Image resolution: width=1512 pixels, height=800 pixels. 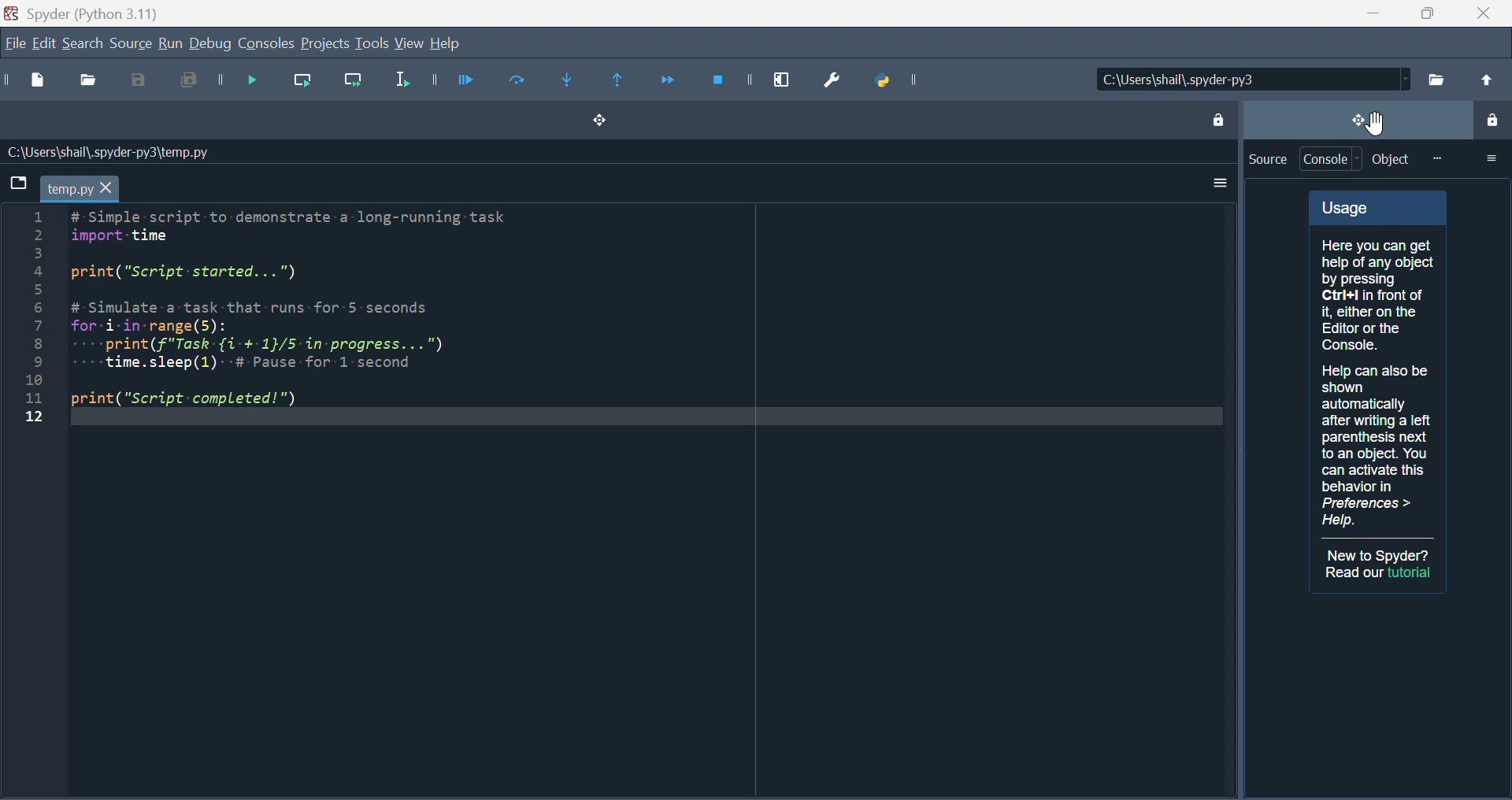 I want to click on Spyder, so click(x=95, y=12).